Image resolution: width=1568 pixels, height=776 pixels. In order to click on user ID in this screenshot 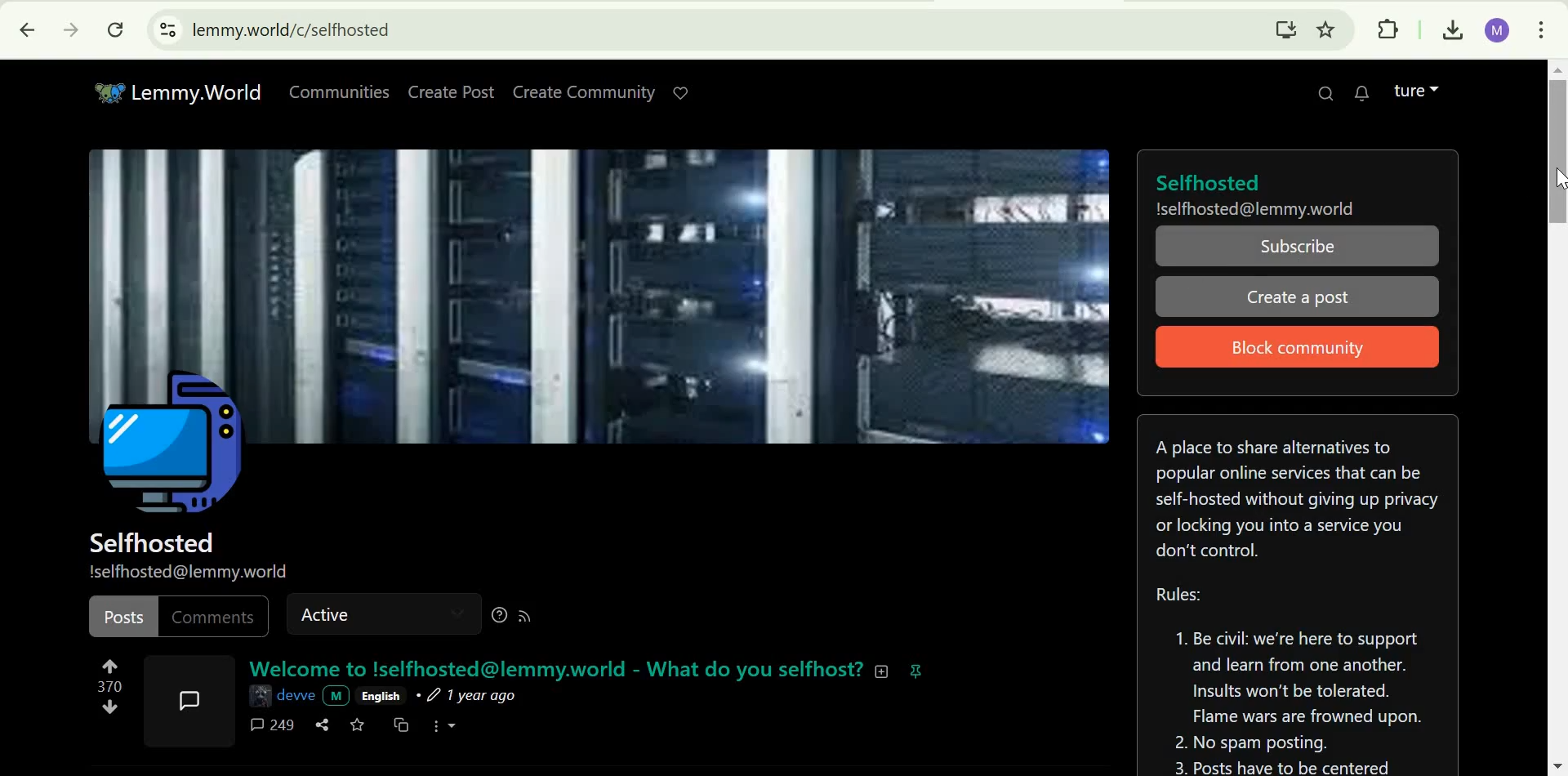, I will do `click(298, 695)`.